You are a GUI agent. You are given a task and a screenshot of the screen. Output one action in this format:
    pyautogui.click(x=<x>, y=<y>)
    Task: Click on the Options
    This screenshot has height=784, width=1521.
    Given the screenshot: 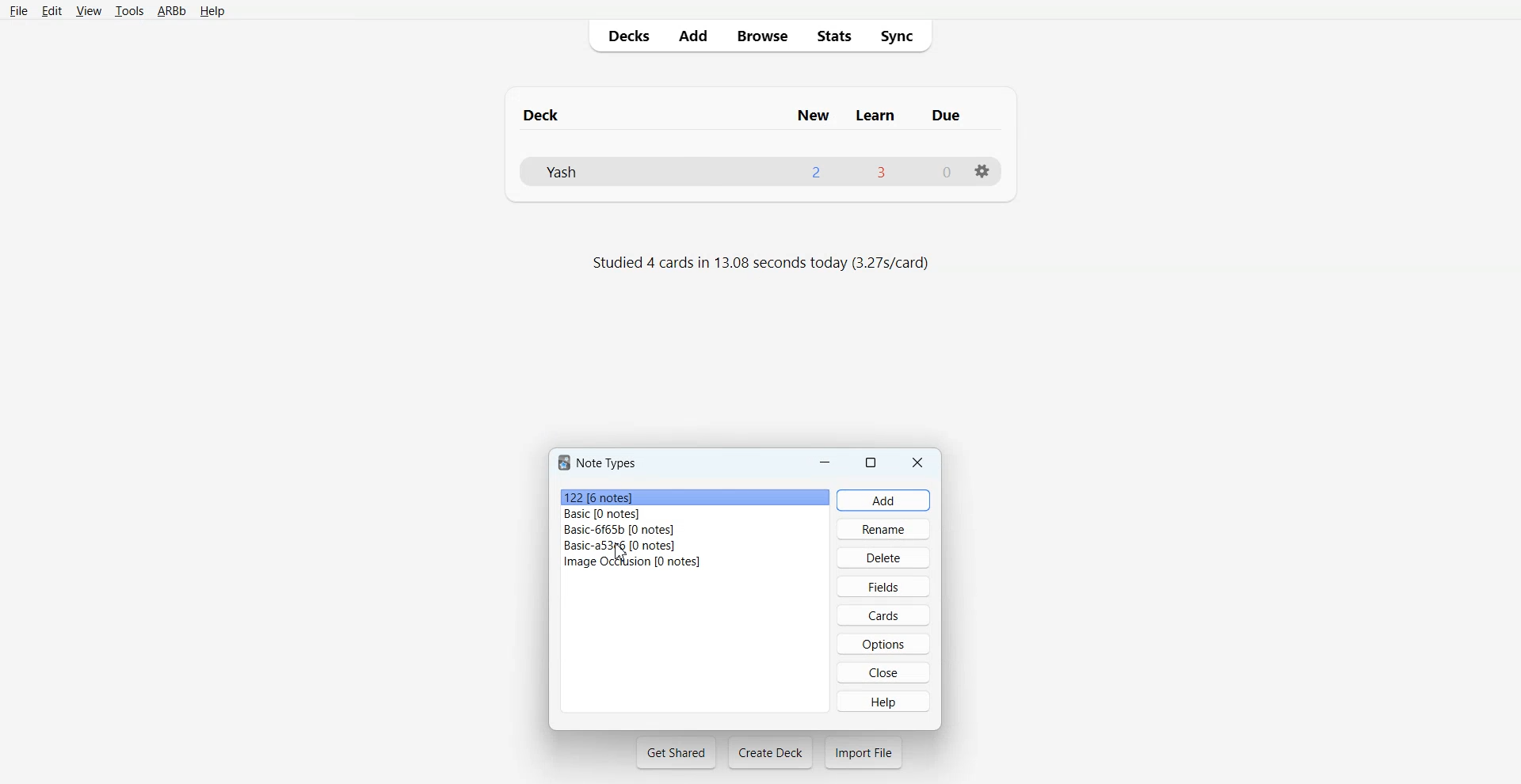 What is the action you would take?
    pyautogui.click(x=883, y=644)
    